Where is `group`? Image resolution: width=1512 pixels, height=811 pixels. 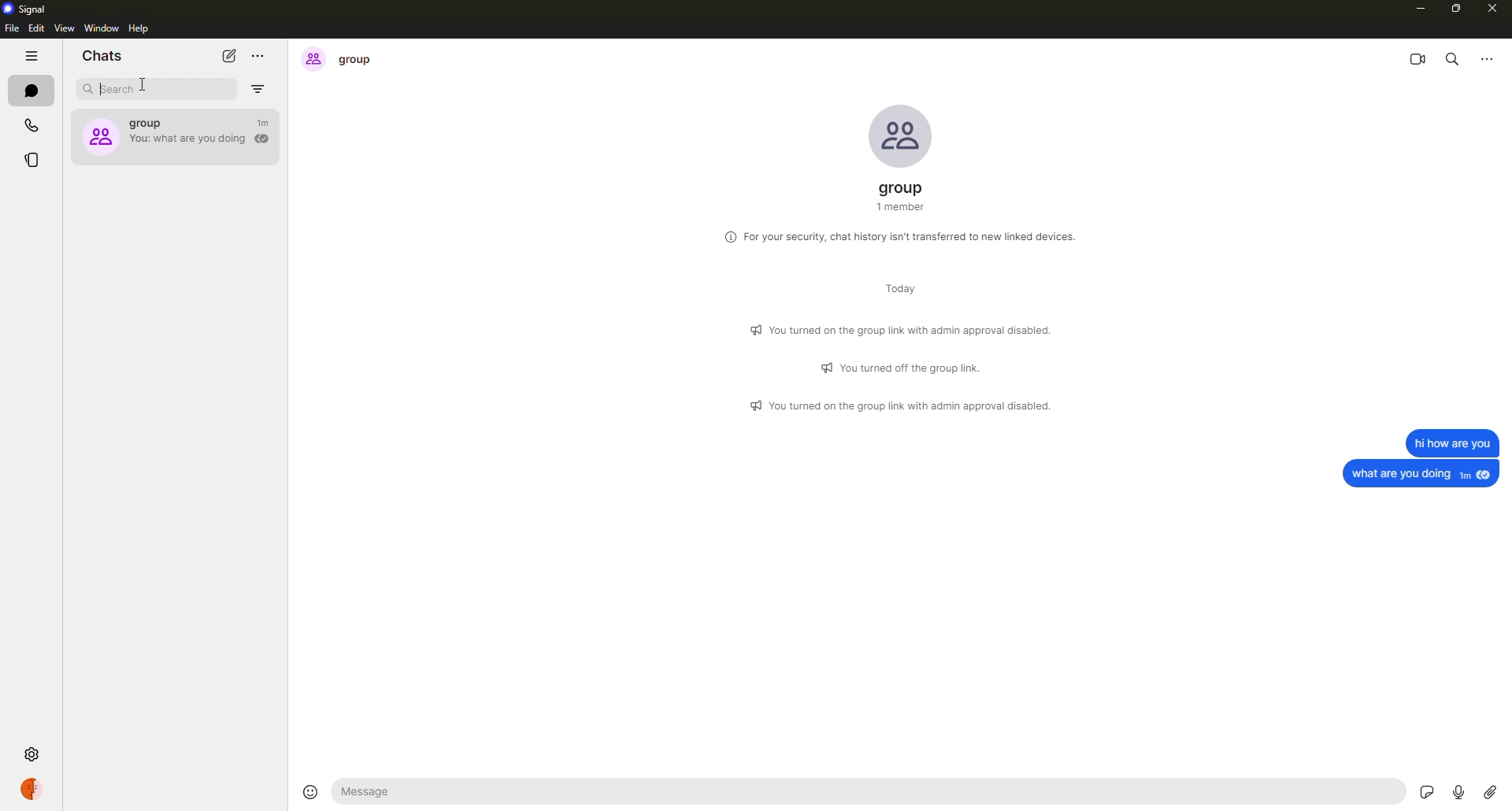 group is located at coordinates (341, 58).